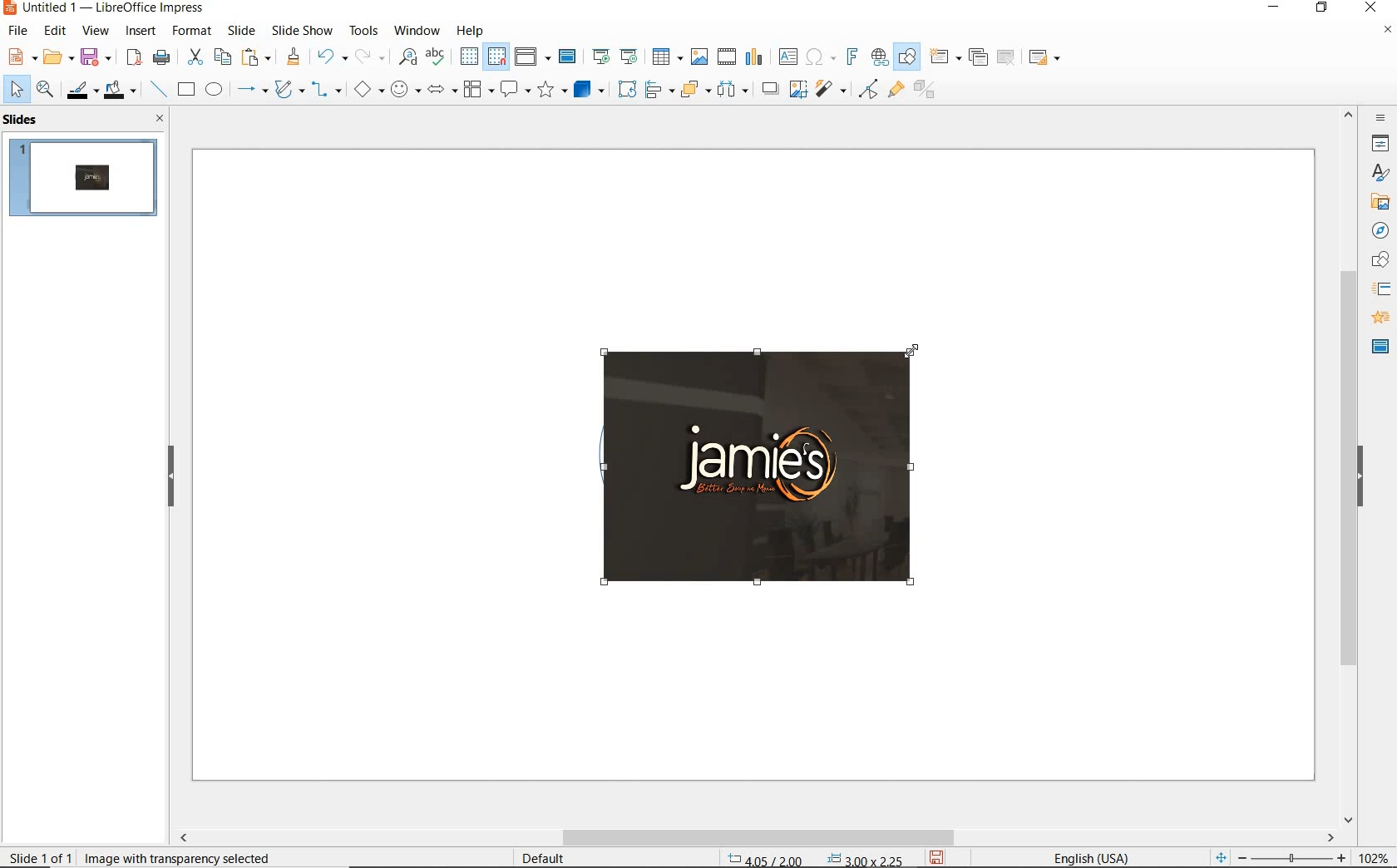 This screenshot has width=1397, height=868. I want to click on insert line, so click(157, 90).